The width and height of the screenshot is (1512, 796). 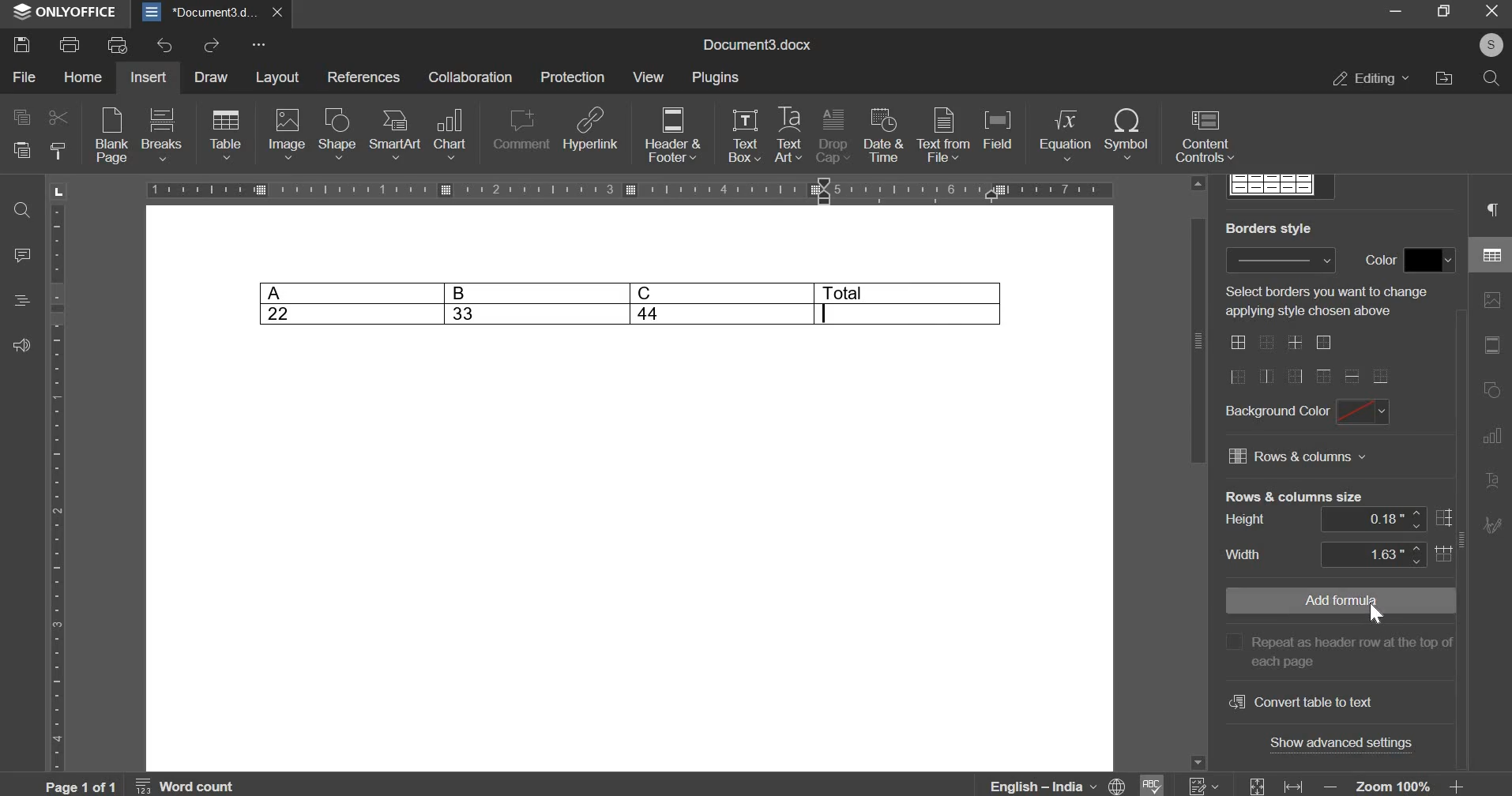 What do you see at coordinates (574, 78) in the screenshot?
I see `protection` at bounding box center [574, 78].